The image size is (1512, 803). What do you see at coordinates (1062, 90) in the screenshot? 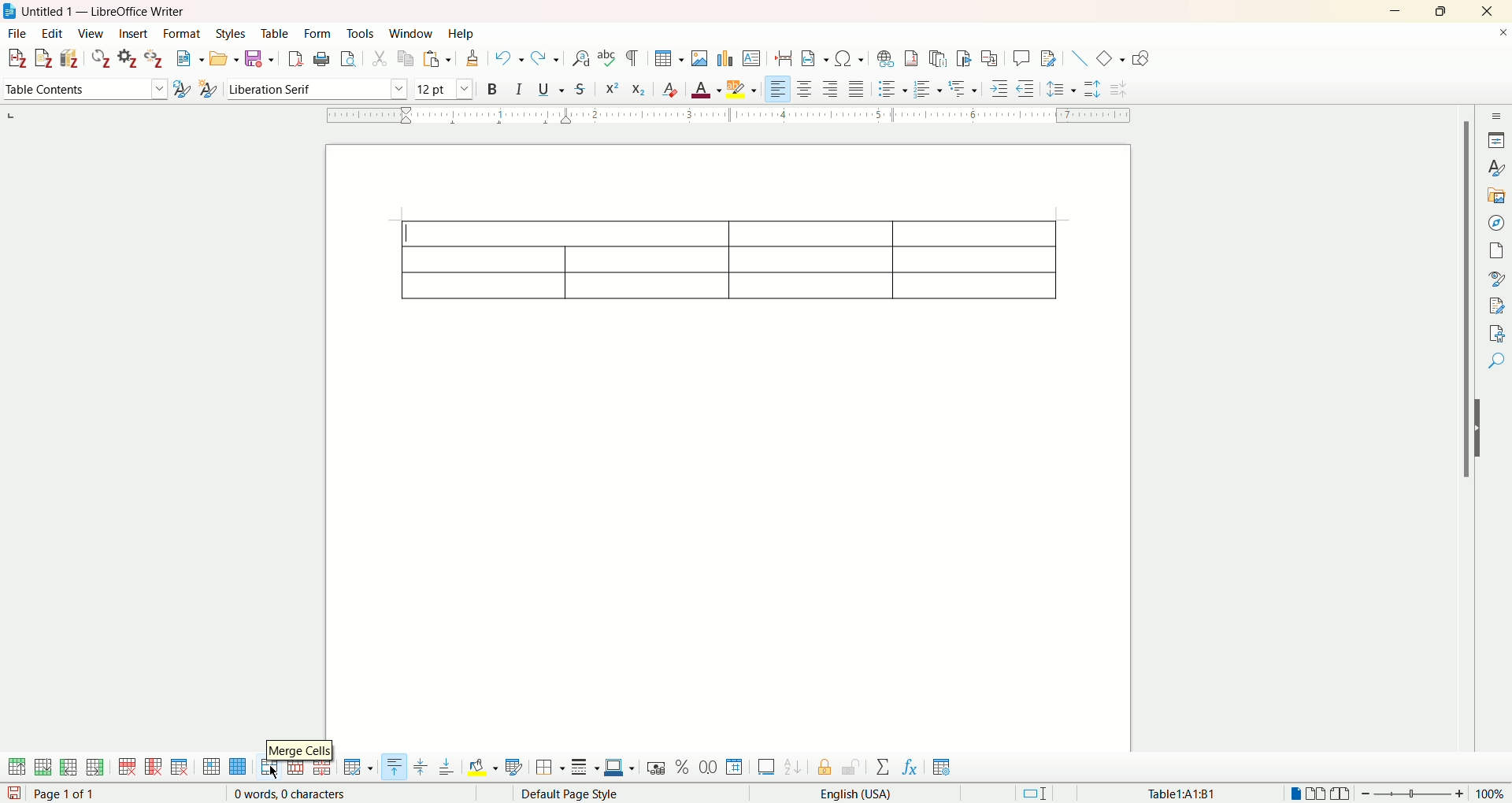
I see `set line spacing` at bounding box center [1062, 90].